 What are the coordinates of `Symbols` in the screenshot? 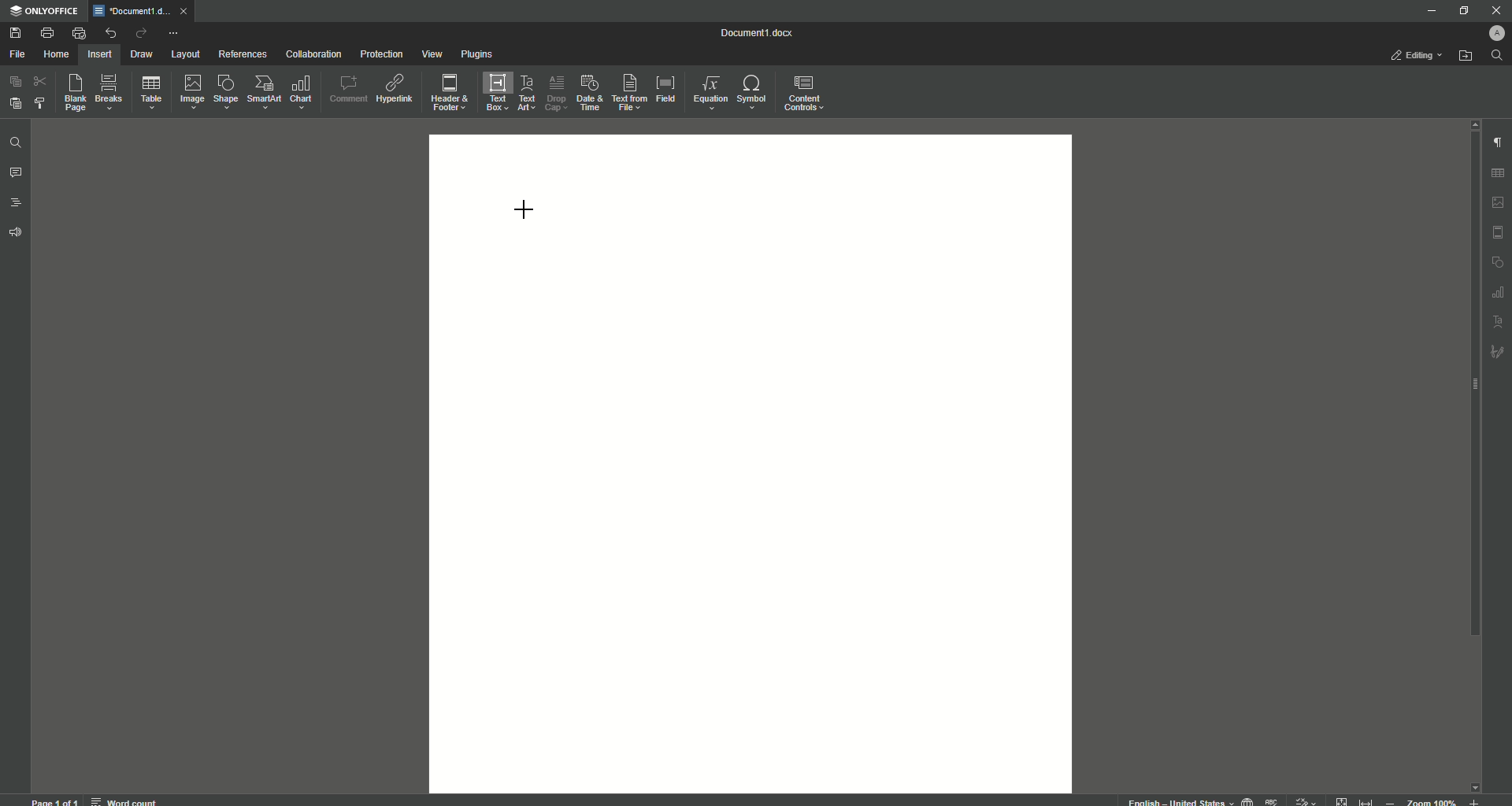 It's located at (750, 92).